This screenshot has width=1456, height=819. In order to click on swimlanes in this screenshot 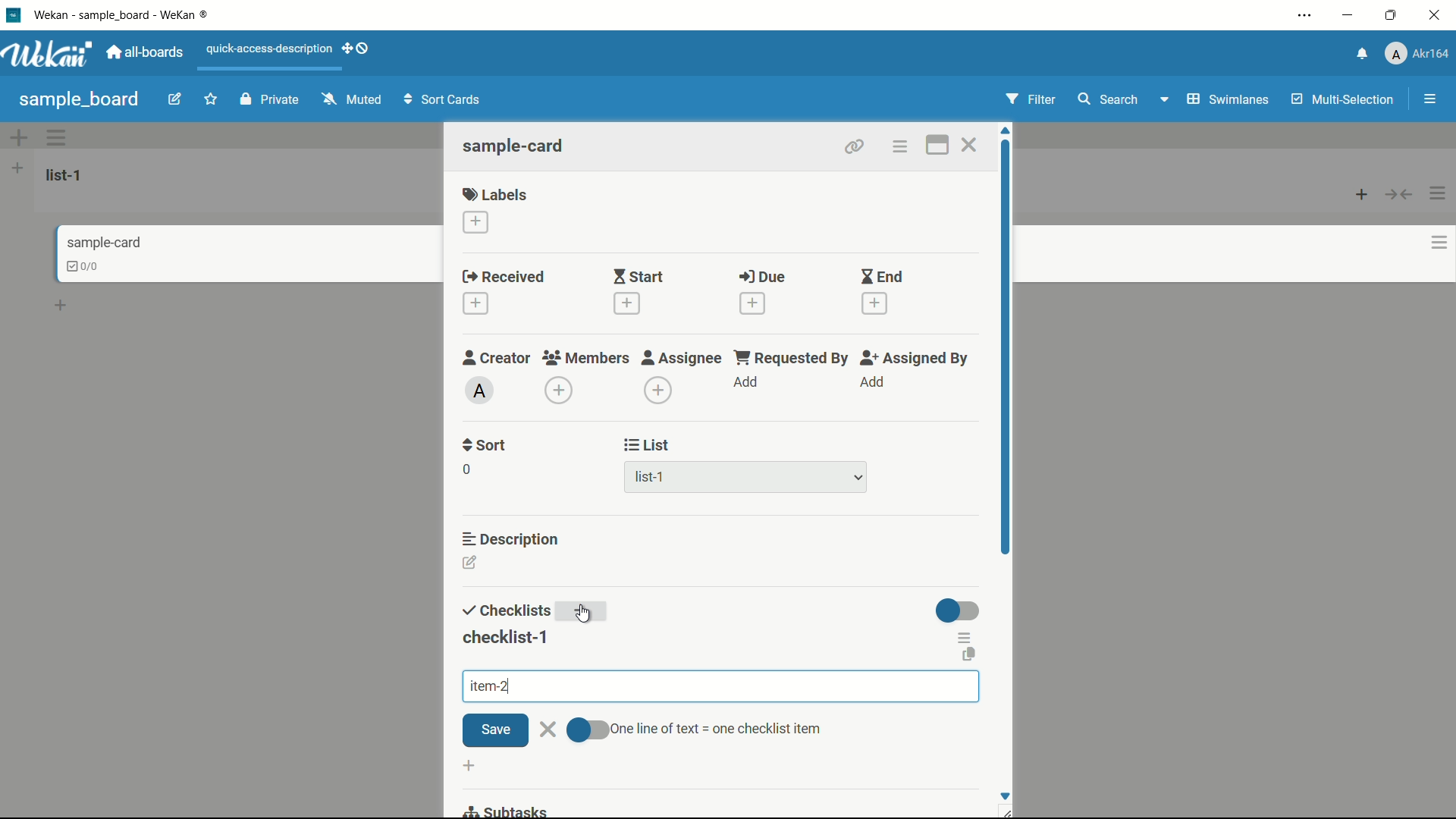, I will do `click(1226, 99)`.